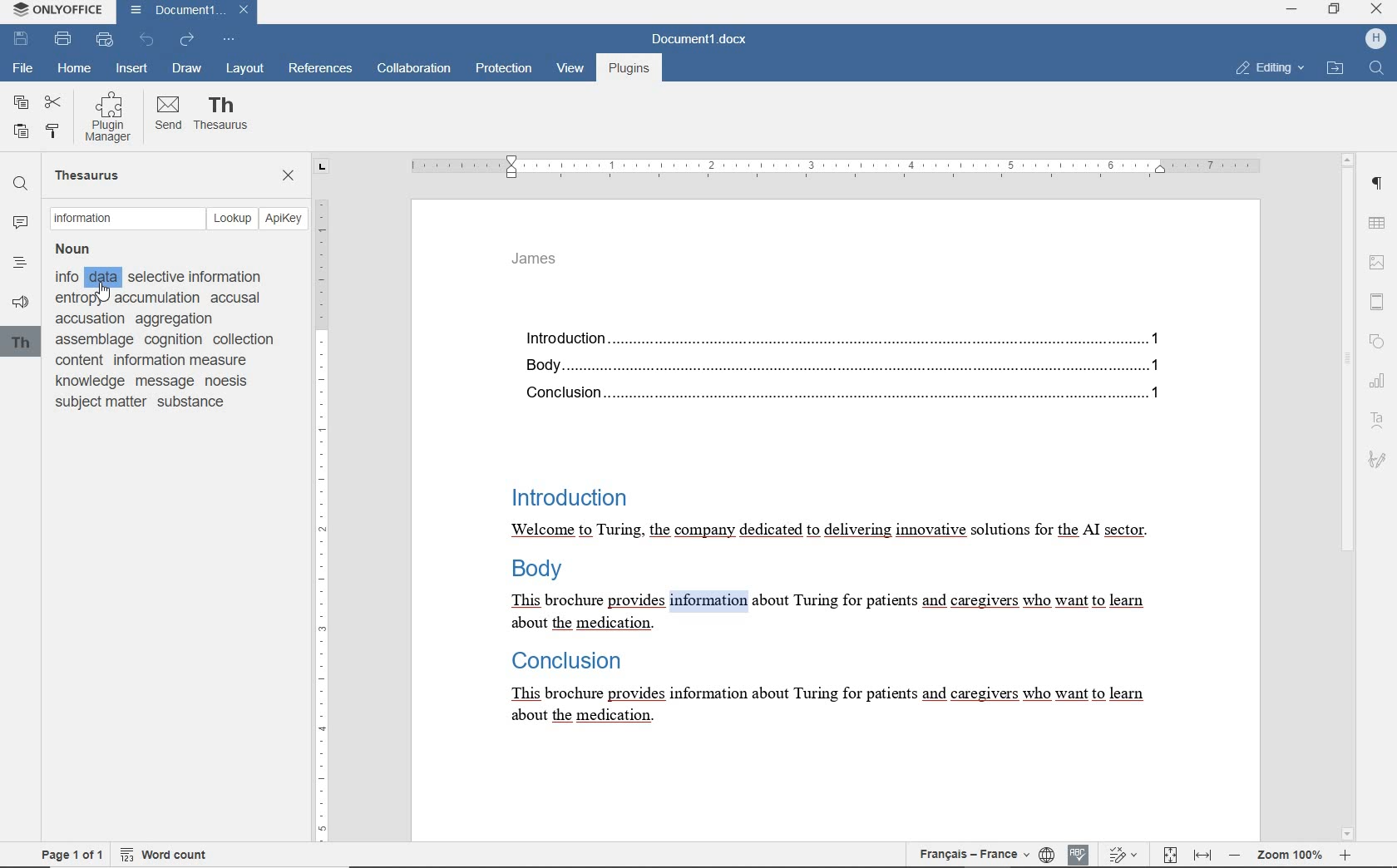 The width and height of the screenshot is (1397, 868). What do you see at coordinates (503, 70) in the screenshot?
I see `PROTECTION` at bounding box center [503, 70].